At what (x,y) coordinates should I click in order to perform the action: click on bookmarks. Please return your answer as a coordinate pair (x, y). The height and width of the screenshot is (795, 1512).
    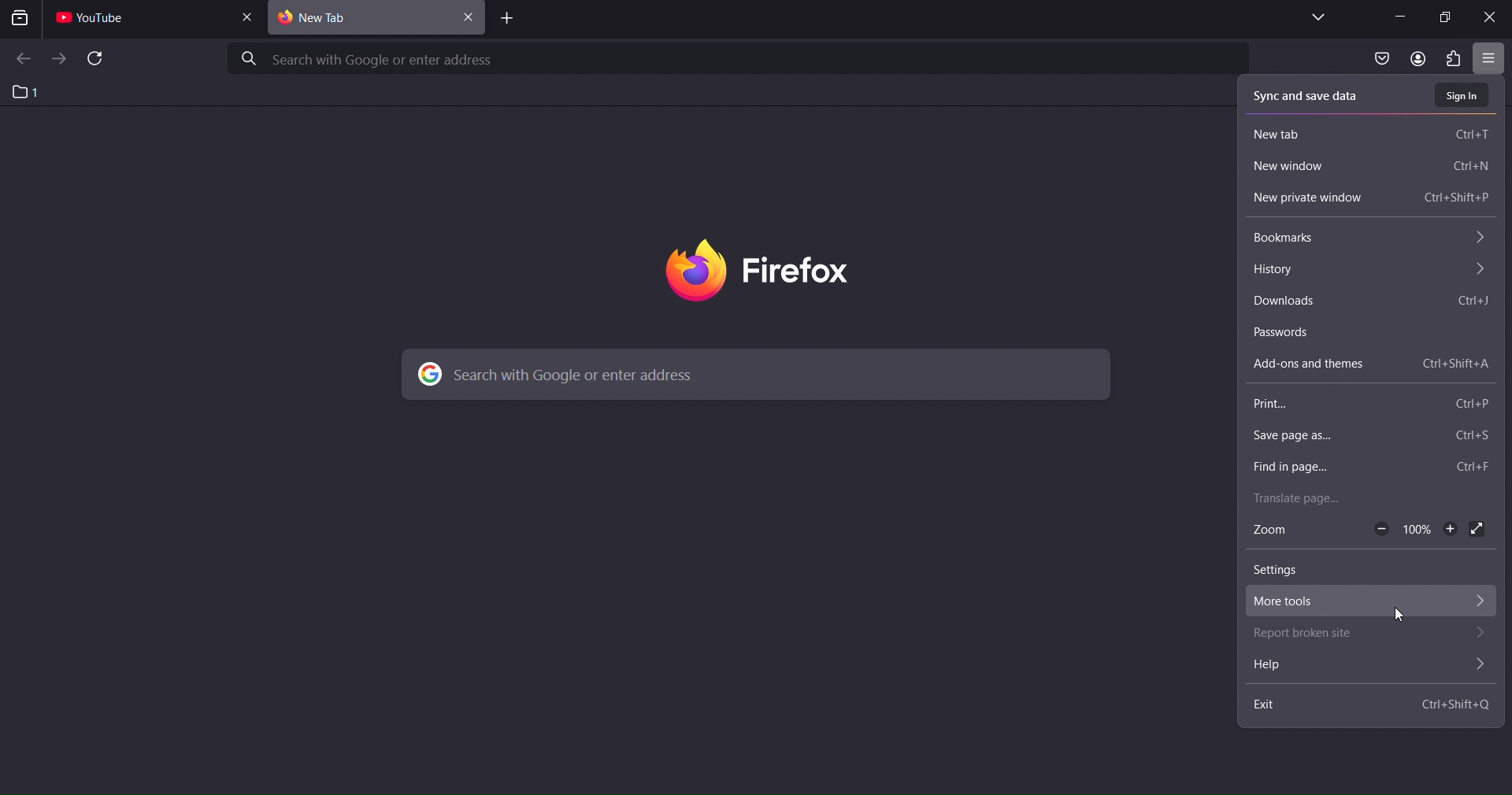
    Looking at the image, I should click on (1306, 238).